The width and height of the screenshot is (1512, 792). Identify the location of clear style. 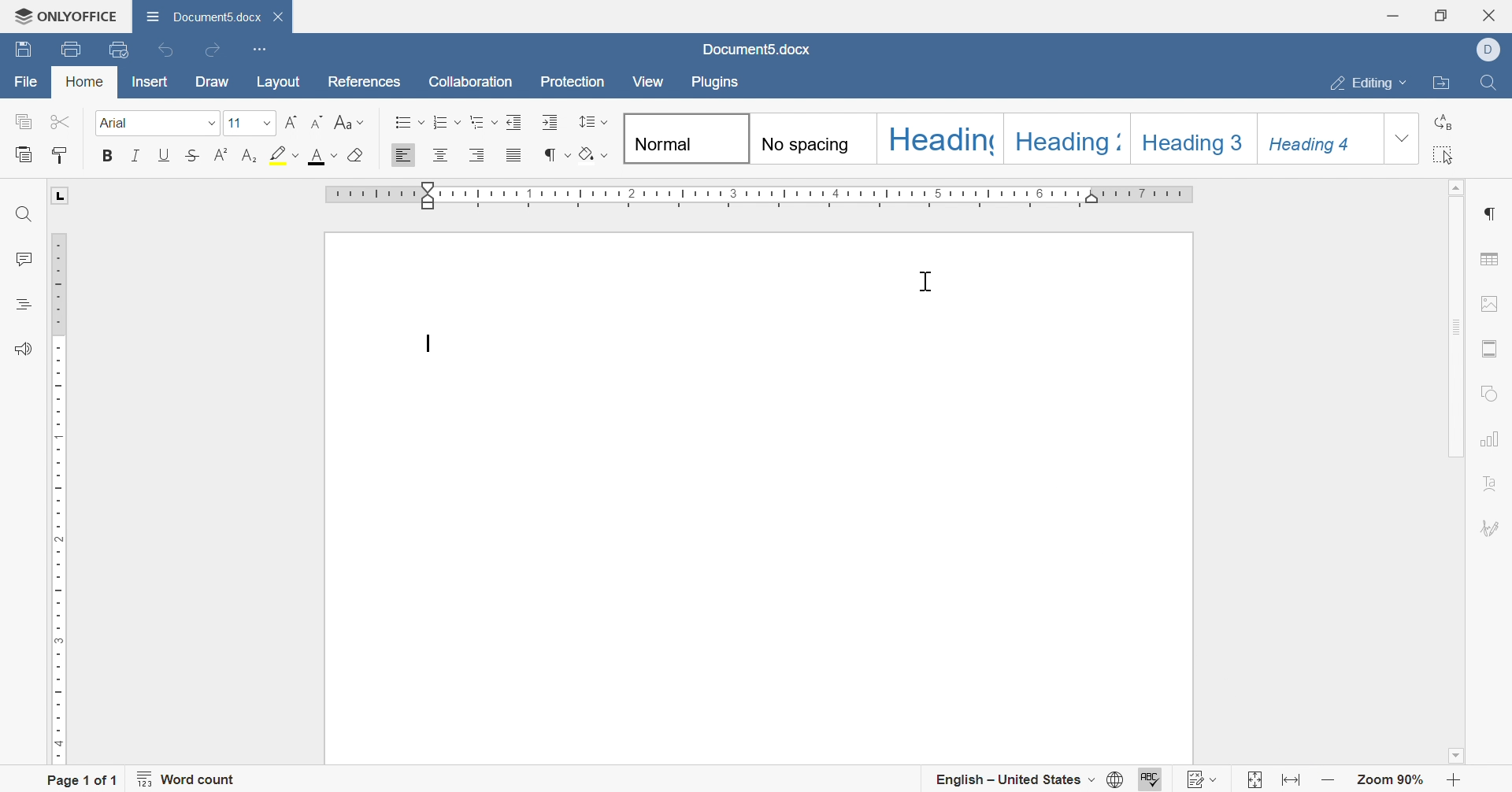
(594, 153).